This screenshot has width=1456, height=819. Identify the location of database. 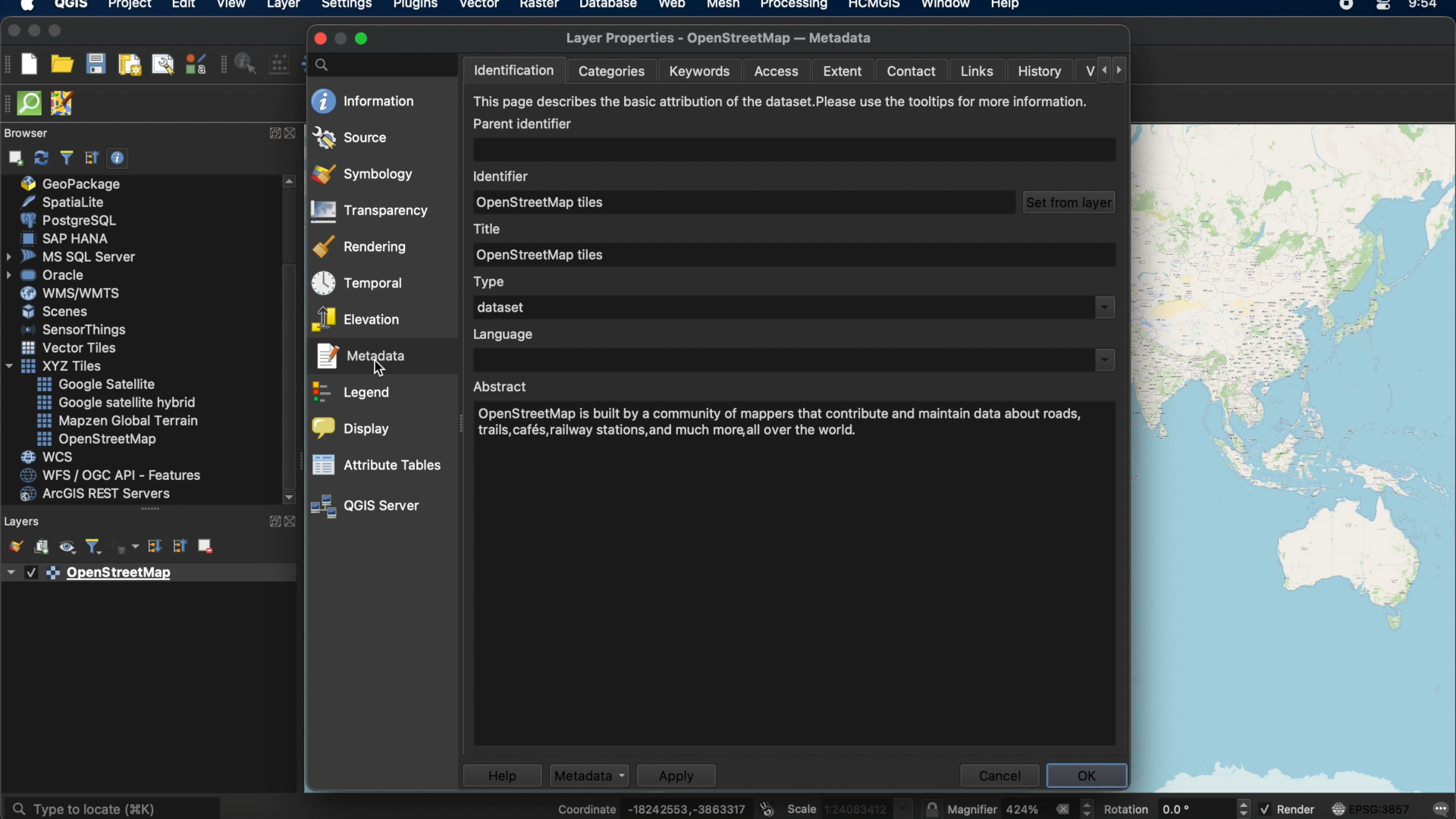
(606, 6).